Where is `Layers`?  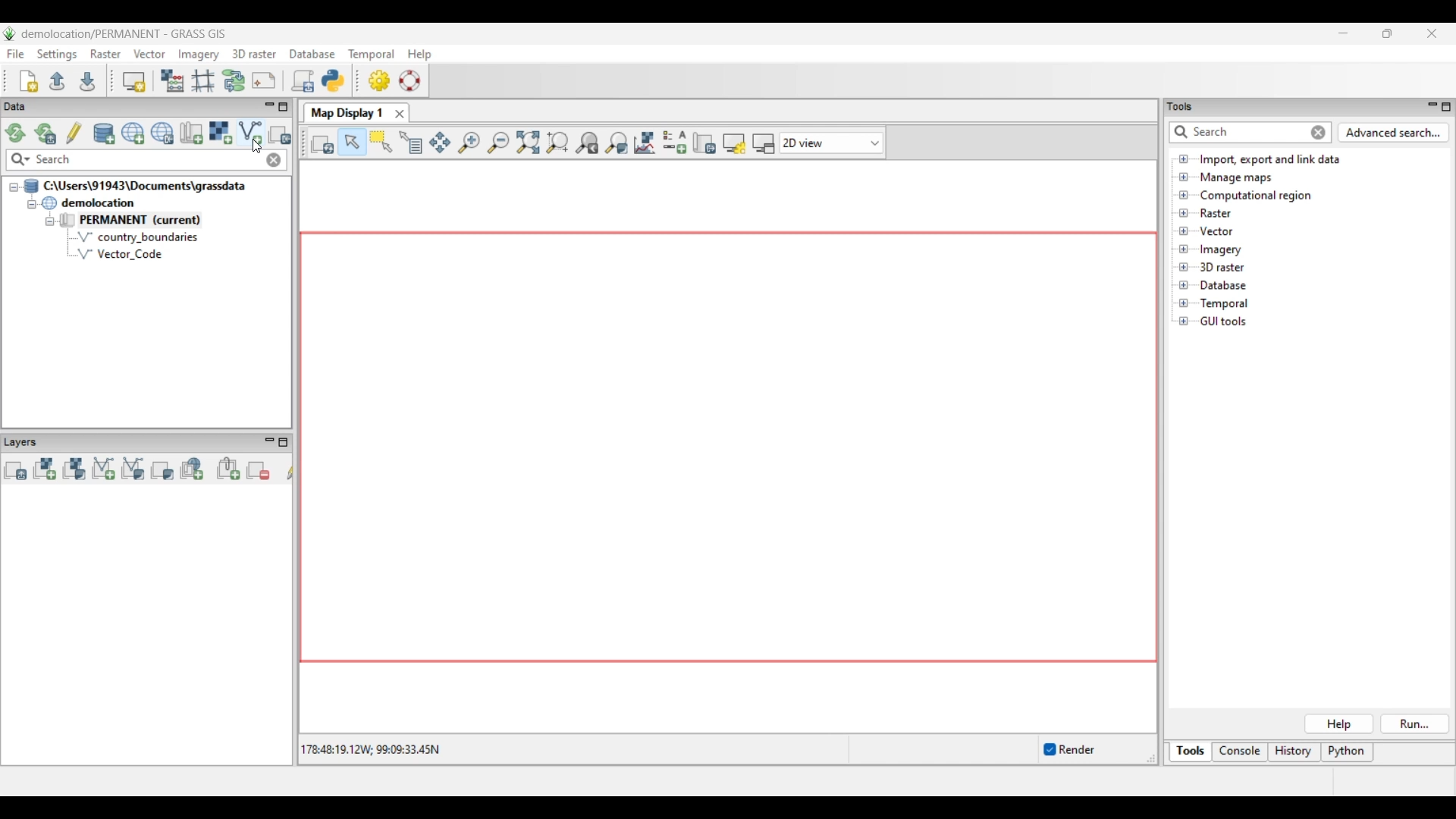 Layers is located at coordinates (24, 441).